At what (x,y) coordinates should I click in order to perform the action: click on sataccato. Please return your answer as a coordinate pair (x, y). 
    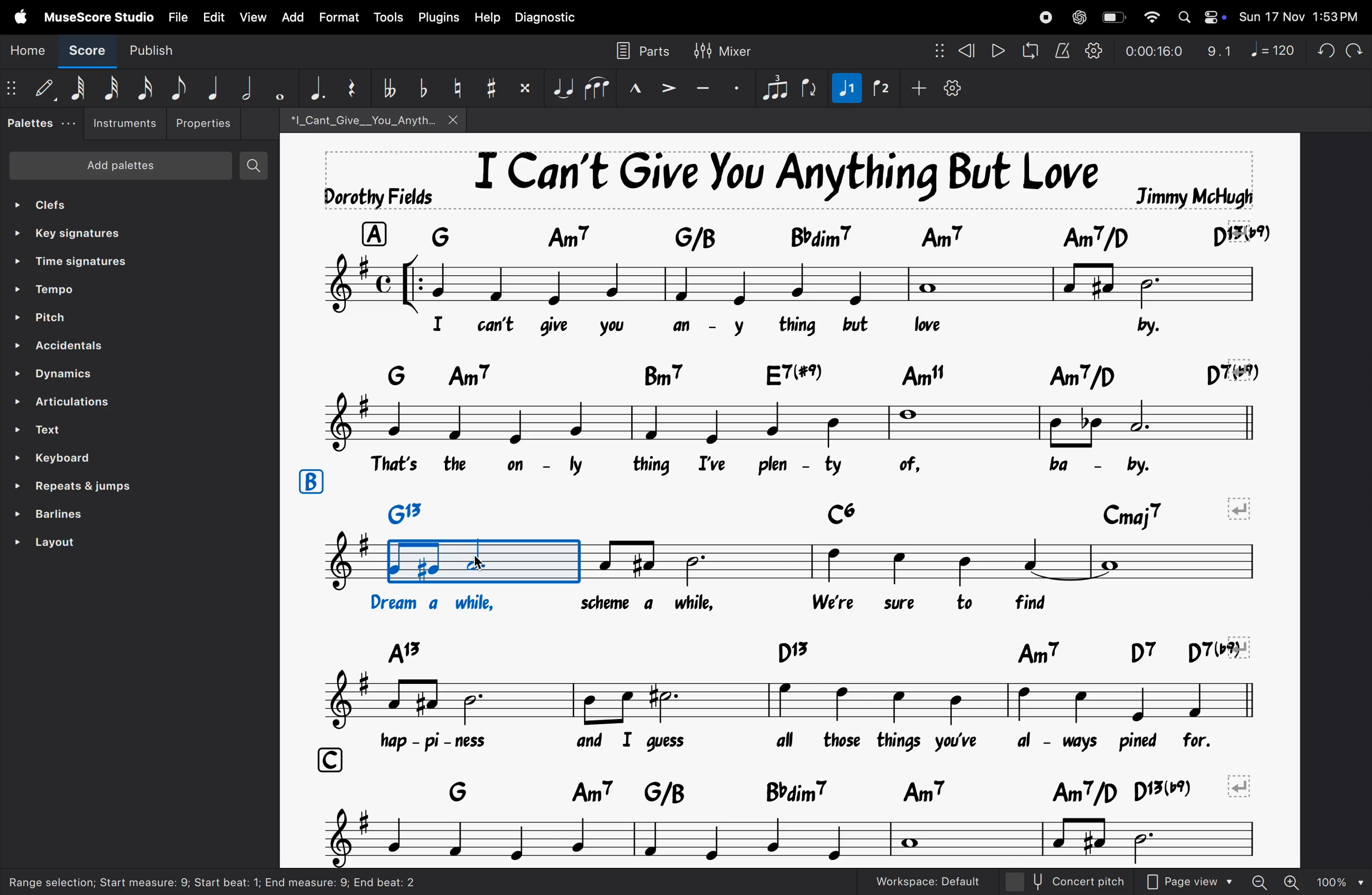
    Looking at the image, I should click on (741, 86).